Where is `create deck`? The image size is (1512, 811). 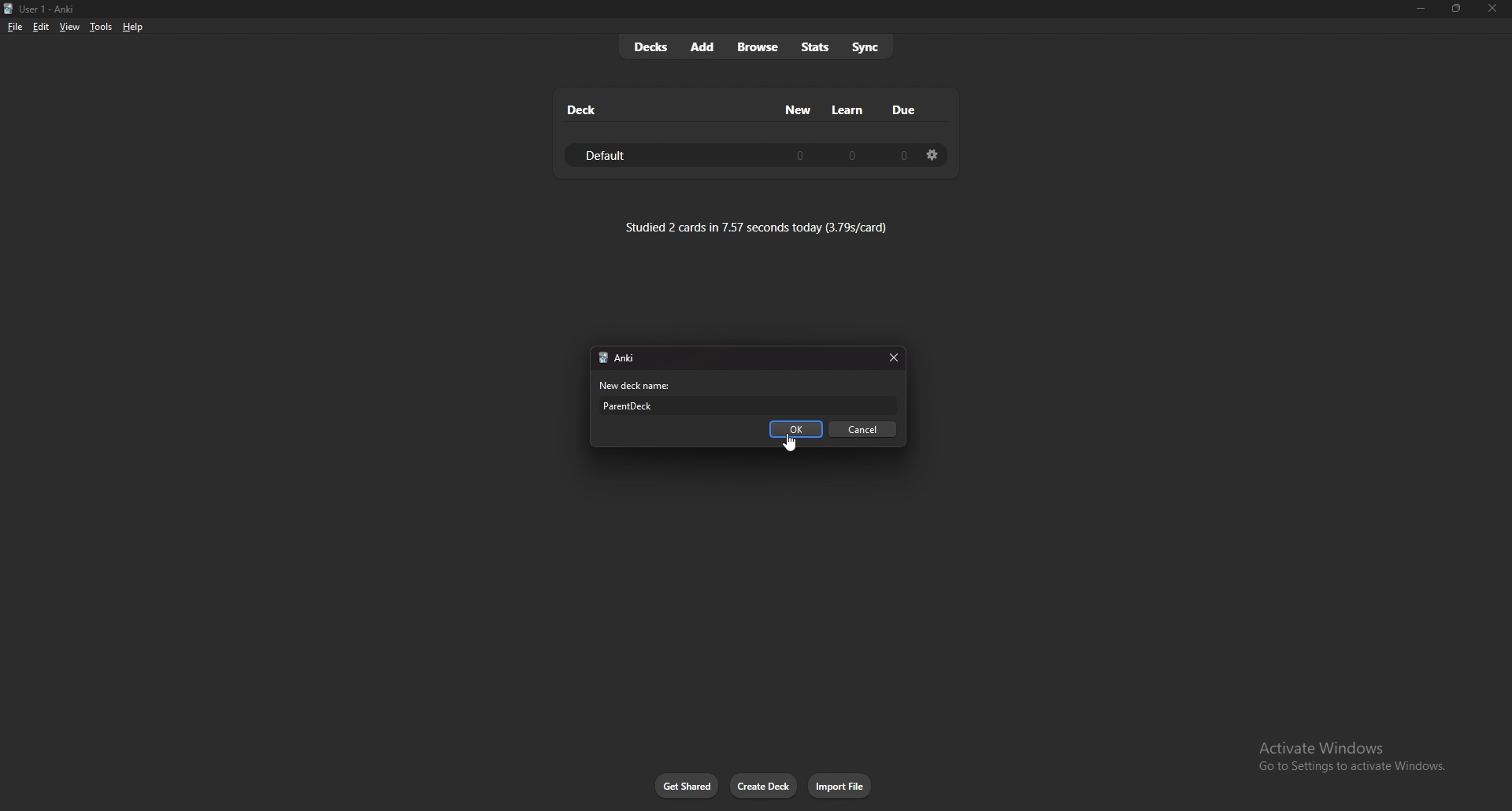
create deck is located at coordinates (764, 786).